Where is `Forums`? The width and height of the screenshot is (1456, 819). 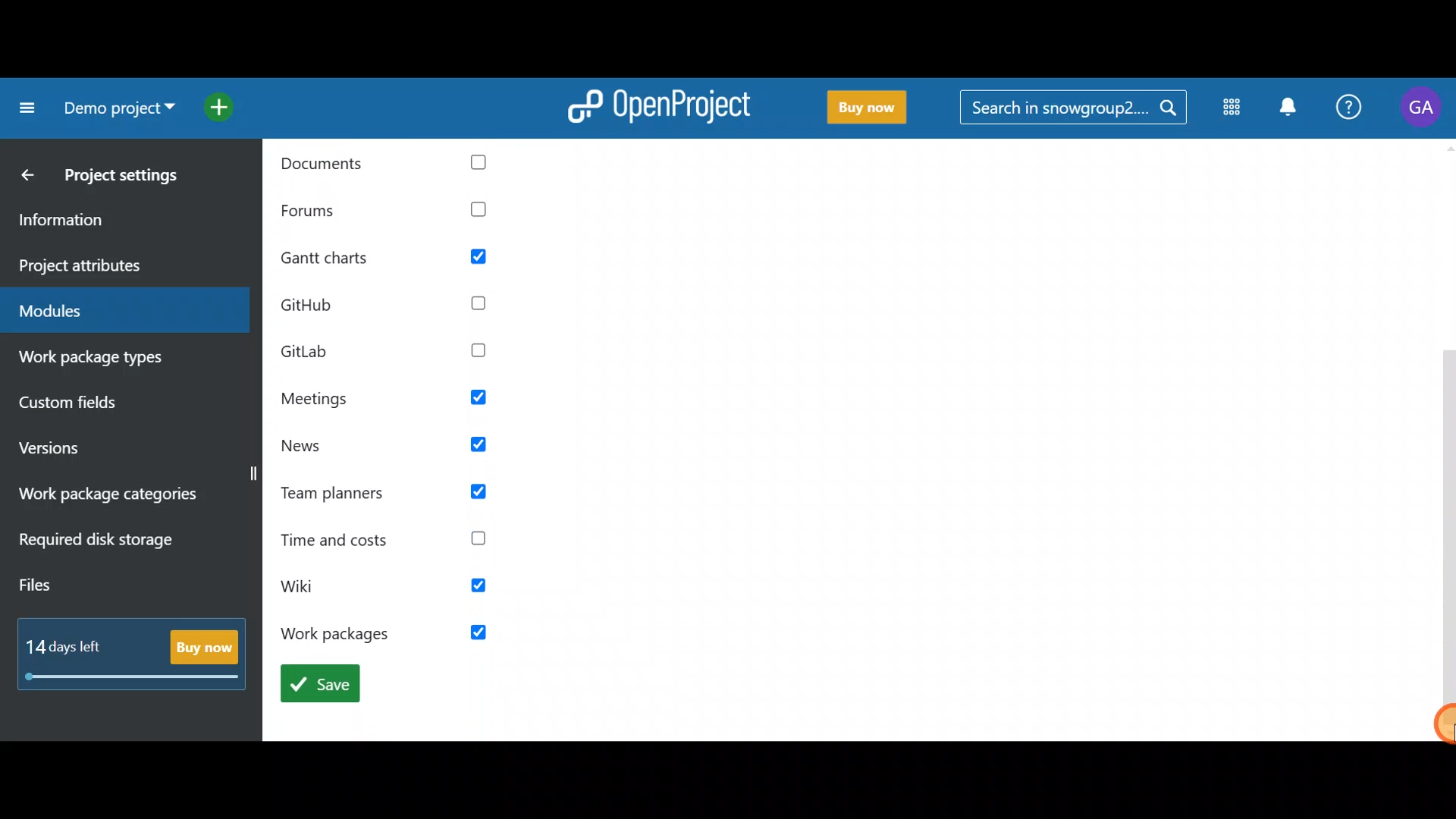
Forums is located at coordinates (393, 212).